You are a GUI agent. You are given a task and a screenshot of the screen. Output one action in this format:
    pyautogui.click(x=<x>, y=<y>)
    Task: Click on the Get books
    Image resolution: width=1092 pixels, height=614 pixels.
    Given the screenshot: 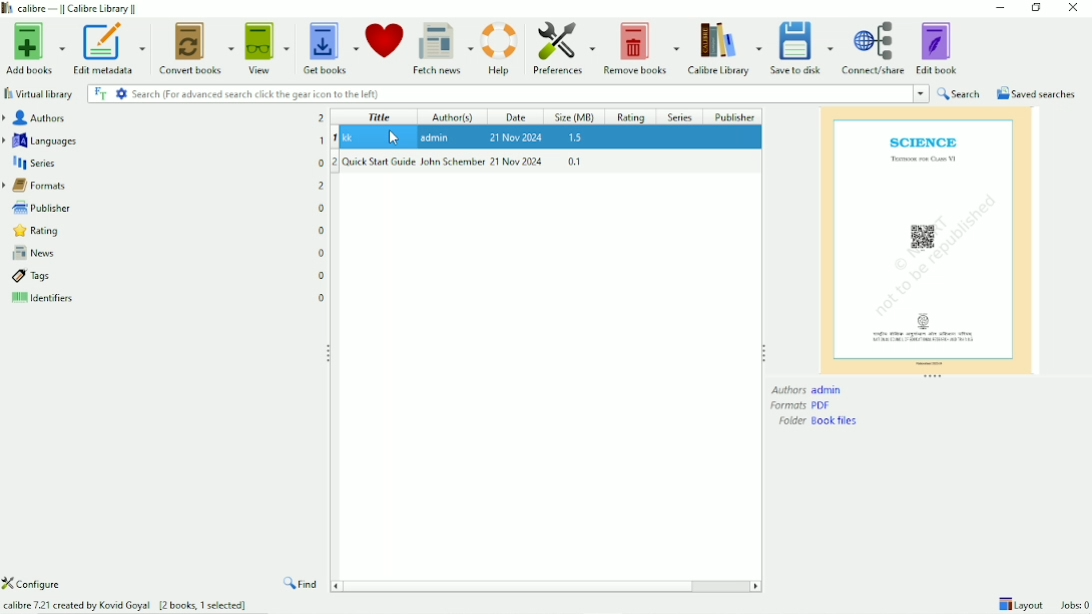 What is the action you would take?
    pyautogui.click(x=329, y=47)
    